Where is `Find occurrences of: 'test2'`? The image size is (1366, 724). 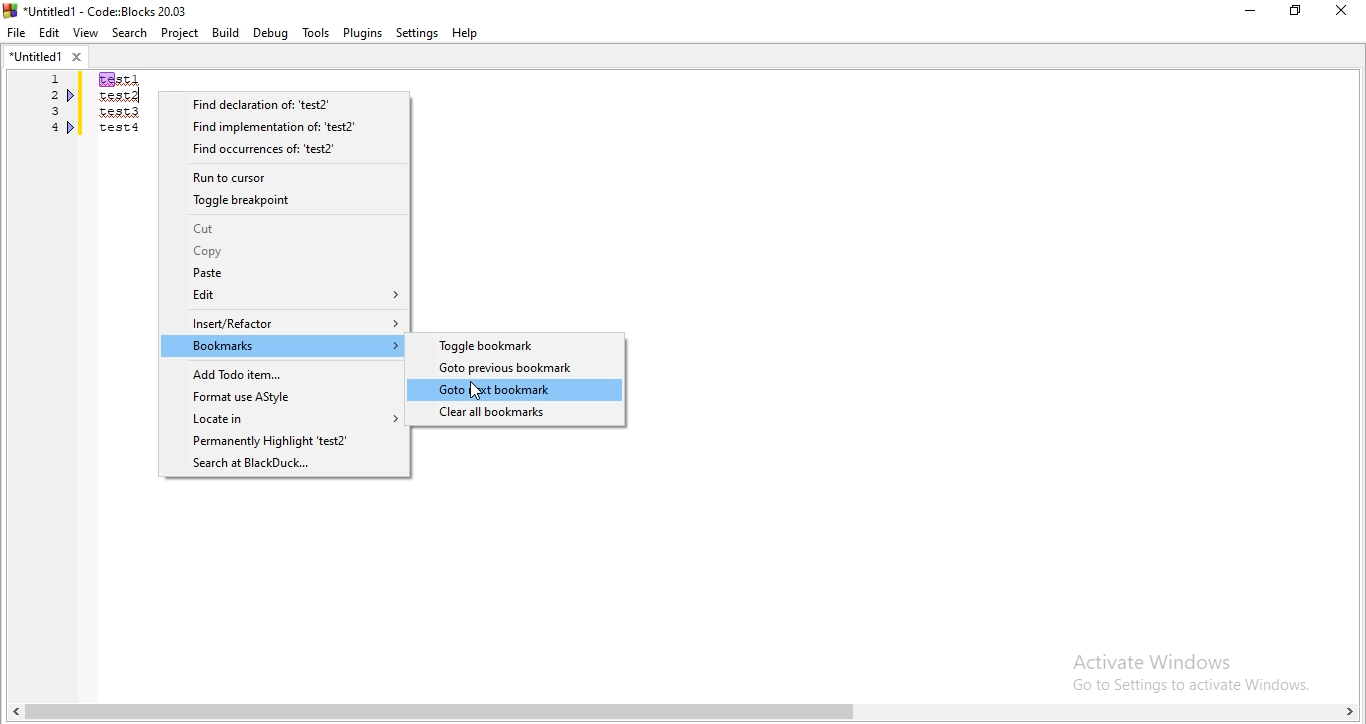
Find occurrences of: 'test2' is located at coordinates (286, 151).